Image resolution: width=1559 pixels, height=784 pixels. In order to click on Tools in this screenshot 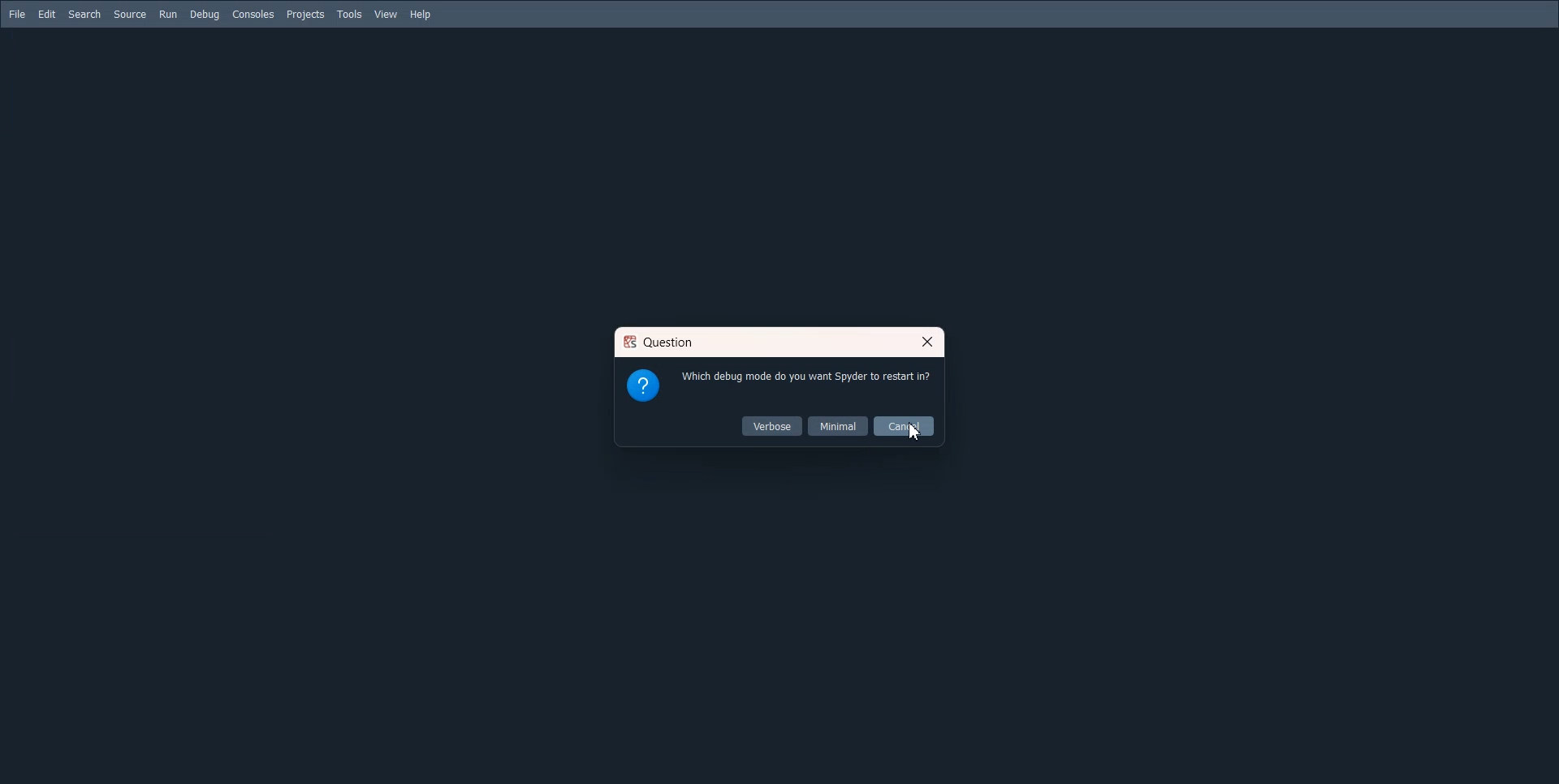, I will do `click(349, 15)`.